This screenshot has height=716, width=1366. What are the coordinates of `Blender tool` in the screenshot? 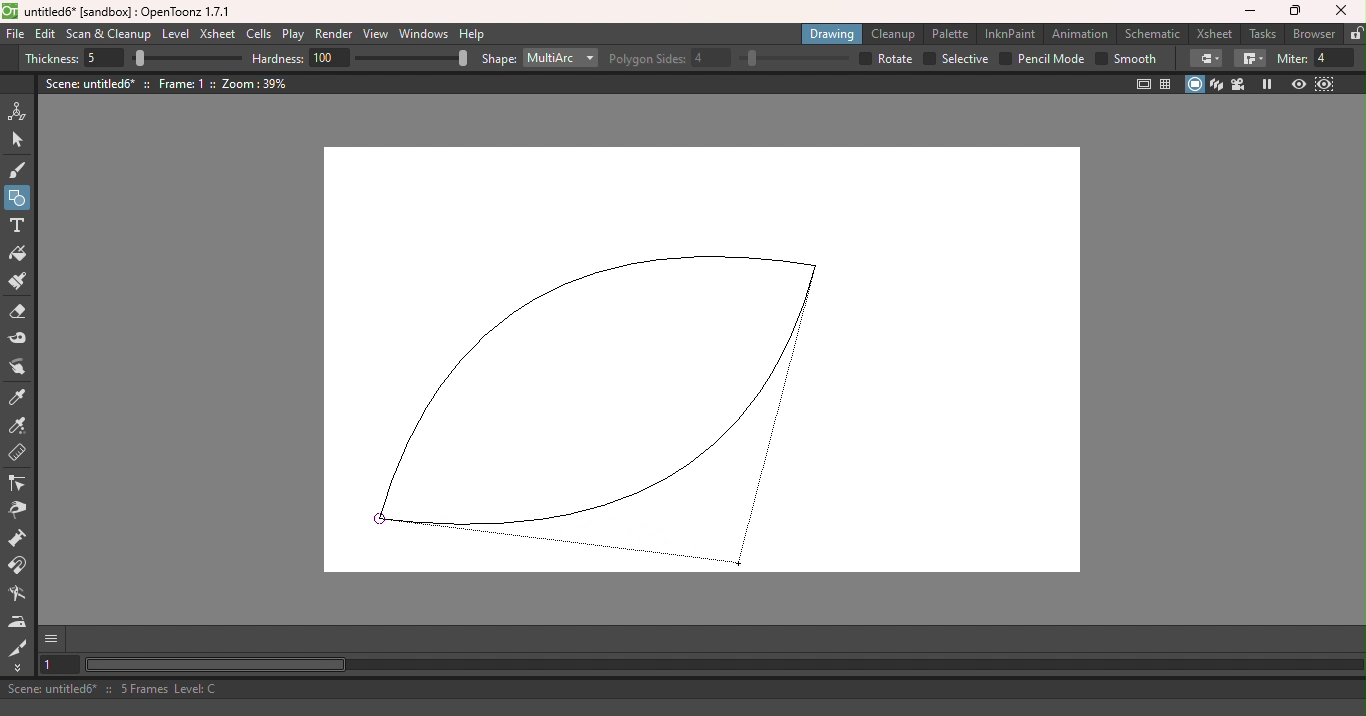 It's located at (17, 595).